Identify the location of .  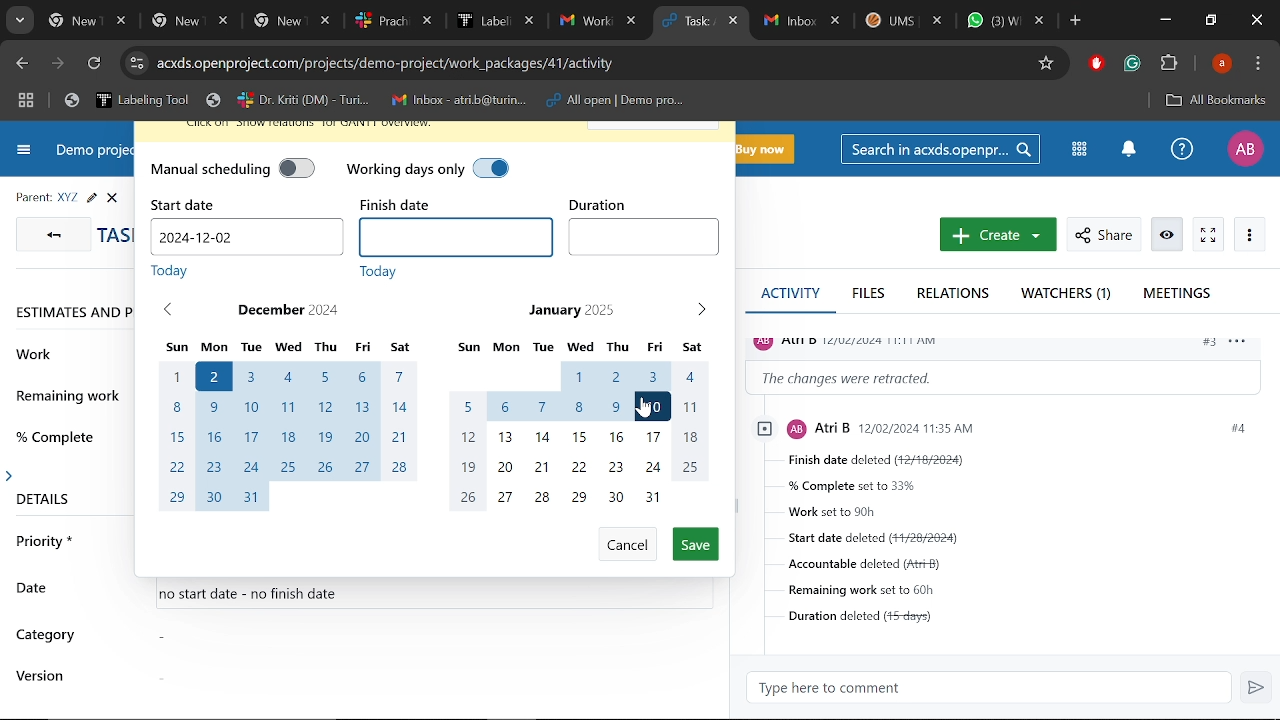
(27, 151).